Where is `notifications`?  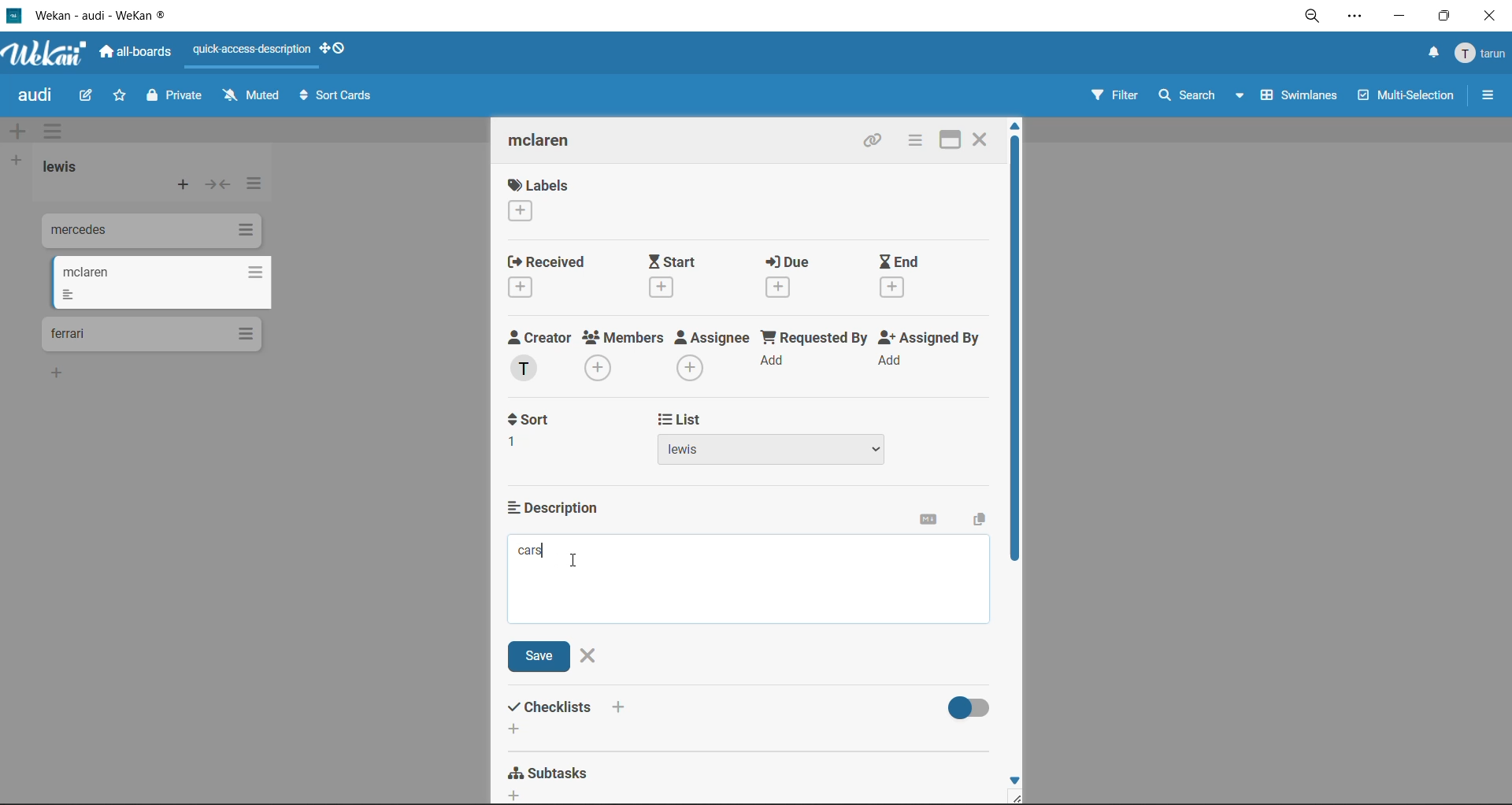
notifications is located at coordinates (1431, 55).